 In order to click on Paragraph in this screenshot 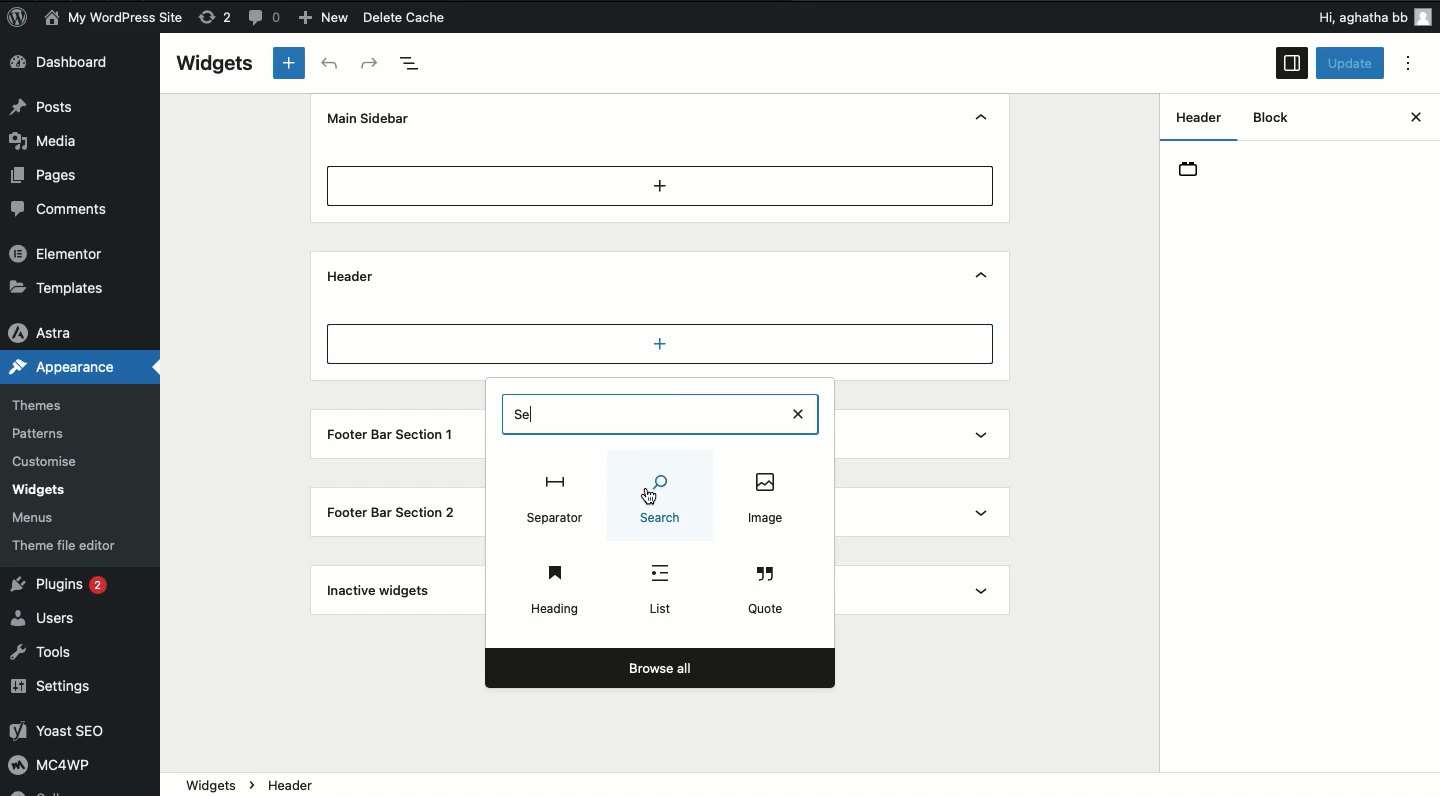, I will do `click(556, 497)`.